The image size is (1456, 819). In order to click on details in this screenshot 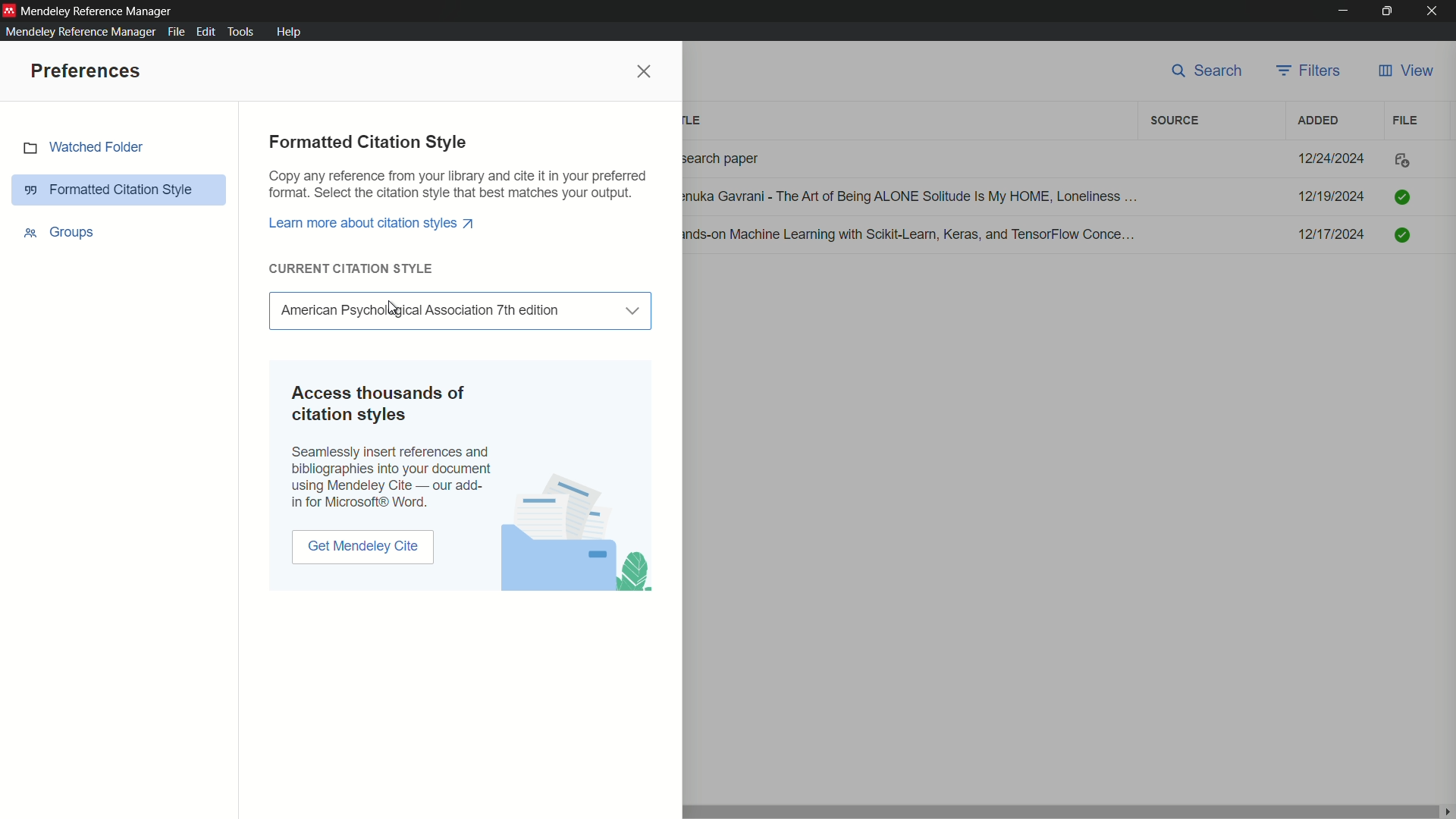, I will do `click(1053, 236)`.